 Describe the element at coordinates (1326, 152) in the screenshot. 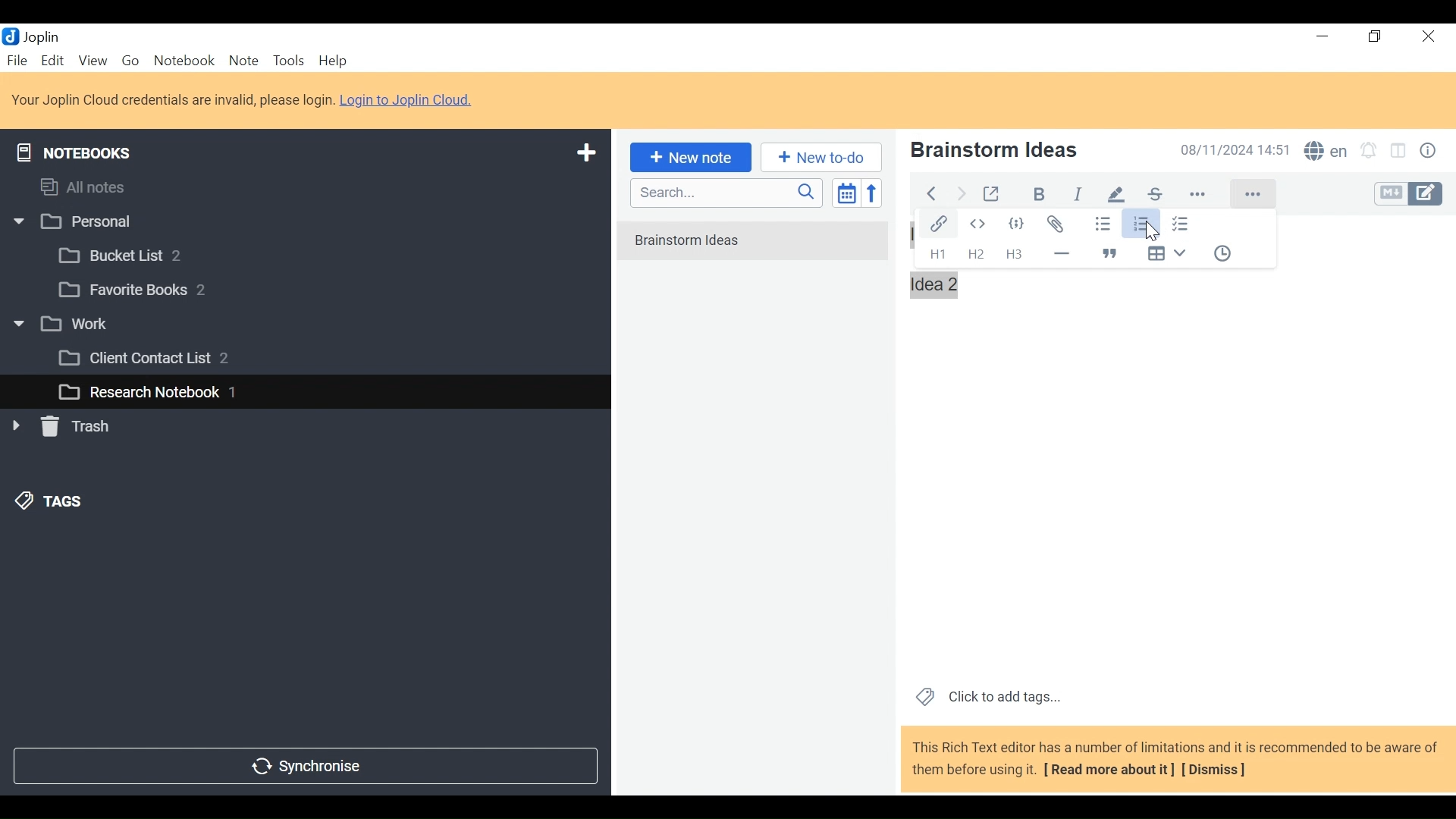

I see `Spell Checker` at that location.